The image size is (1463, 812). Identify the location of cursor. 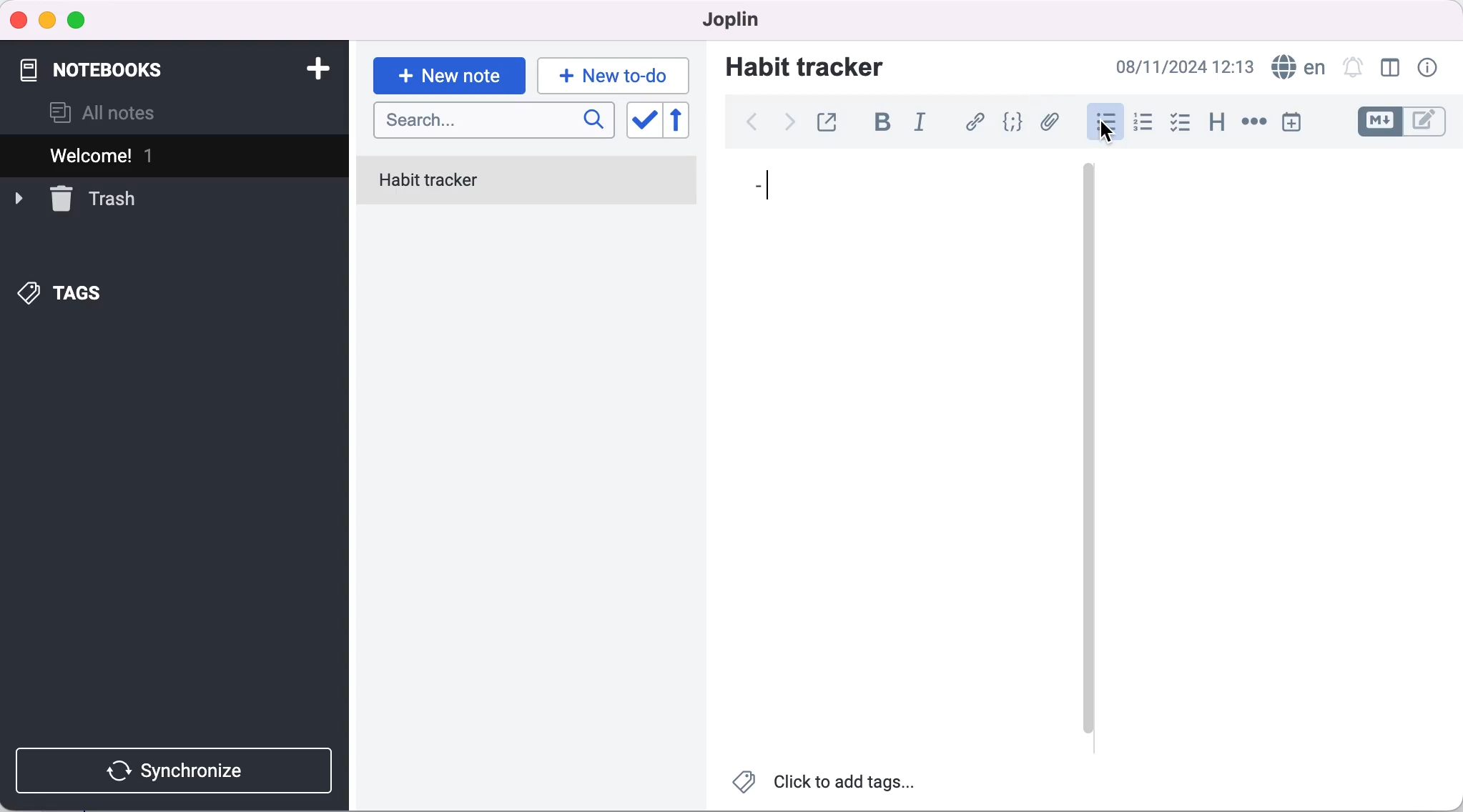
(1108, 132).